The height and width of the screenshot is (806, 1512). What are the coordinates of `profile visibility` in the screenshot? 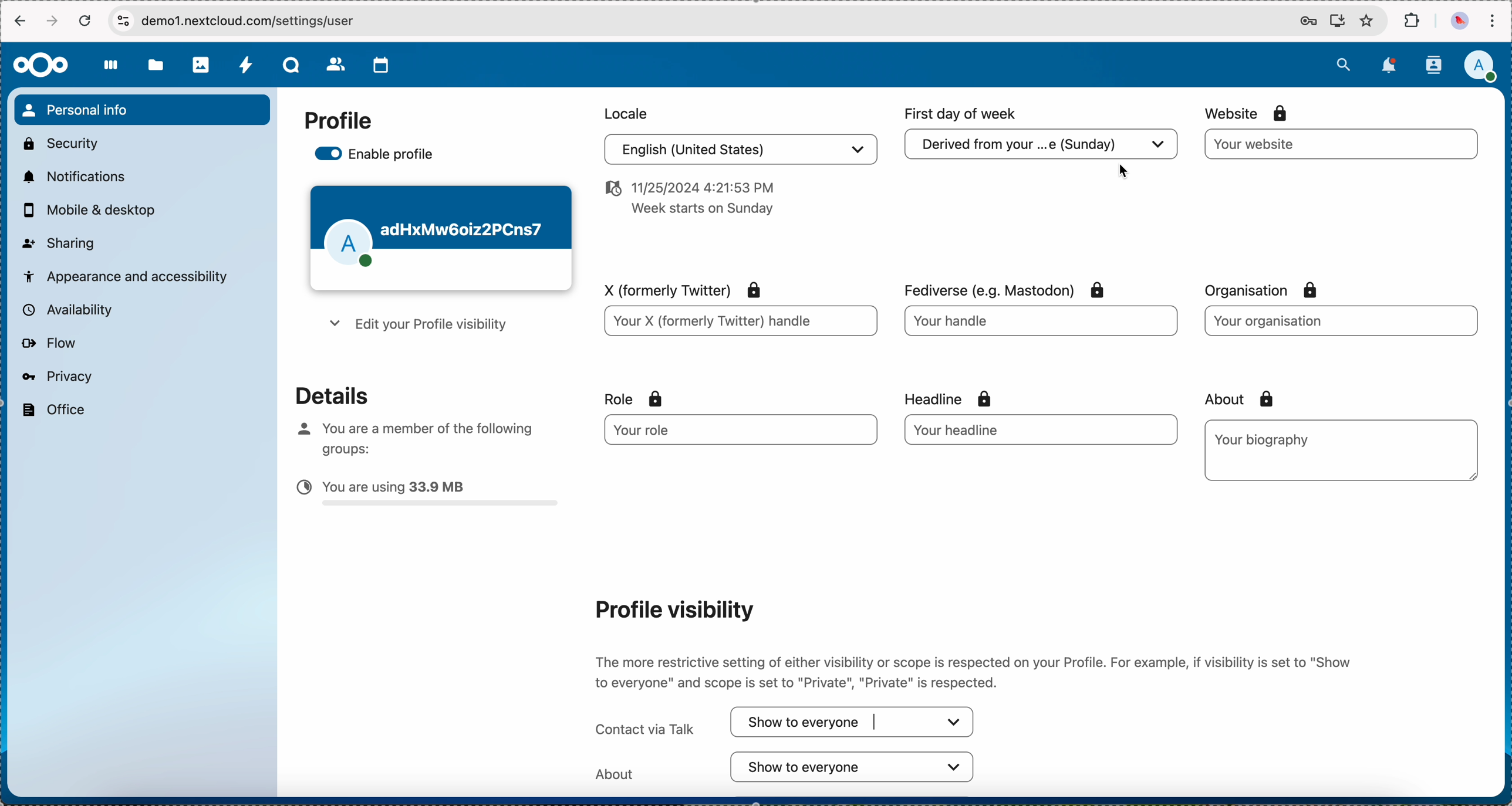 It's located at (671, 609).